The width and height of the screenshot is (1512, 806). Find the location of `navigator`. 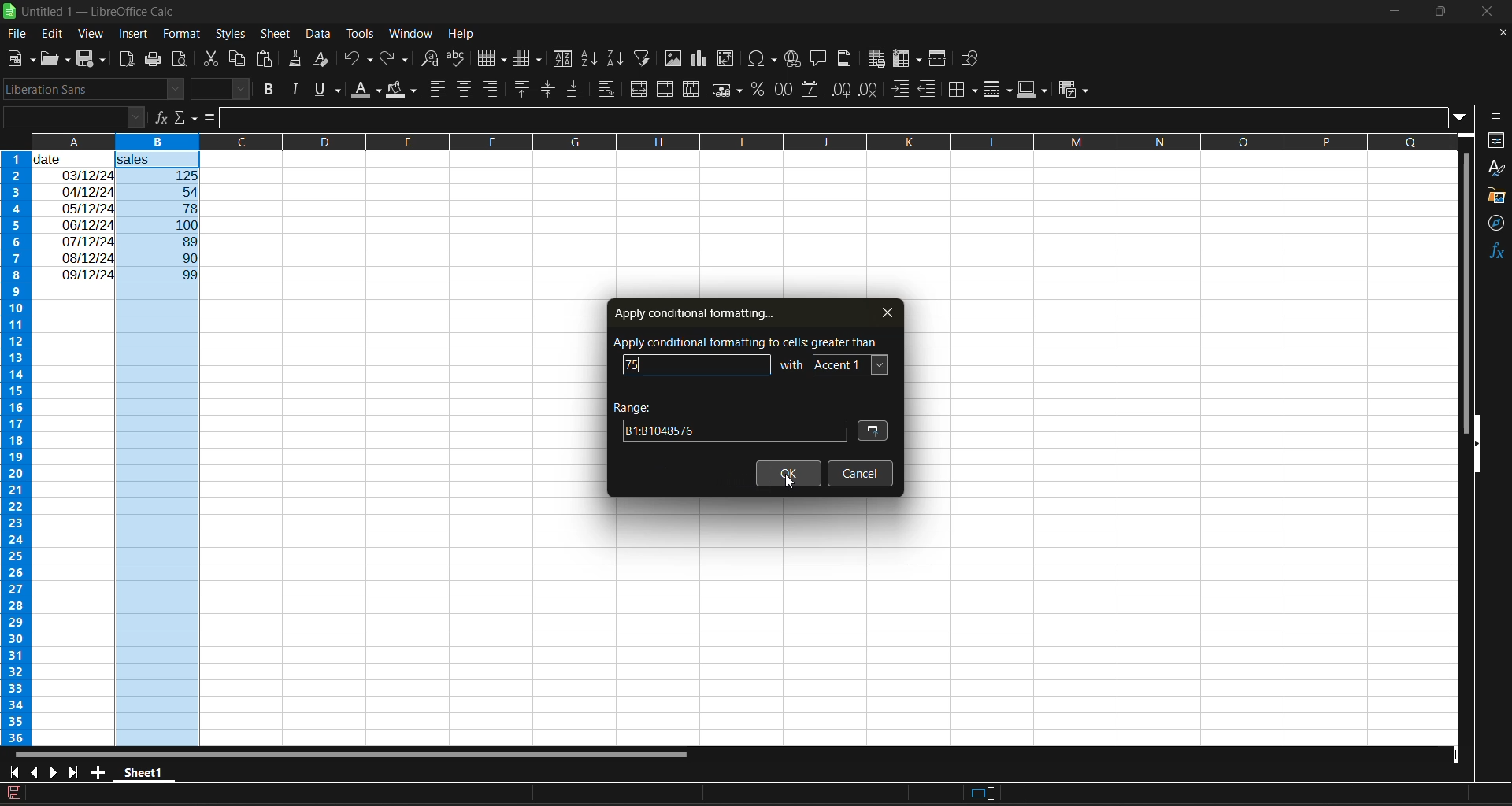

navigator is located at coordinates (1496, 227).